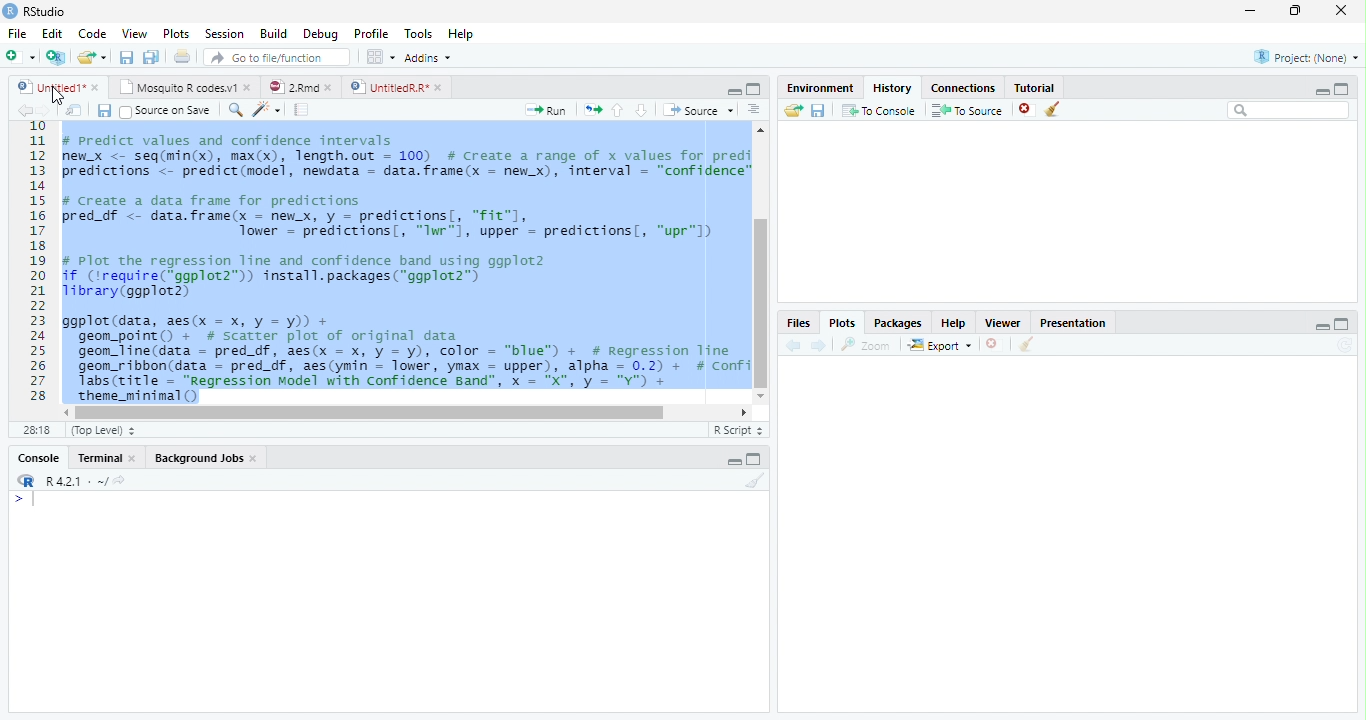  What do you see at coordinates (15, 33) in the screenshot?
I see `File` at bounding box center [15, 33].